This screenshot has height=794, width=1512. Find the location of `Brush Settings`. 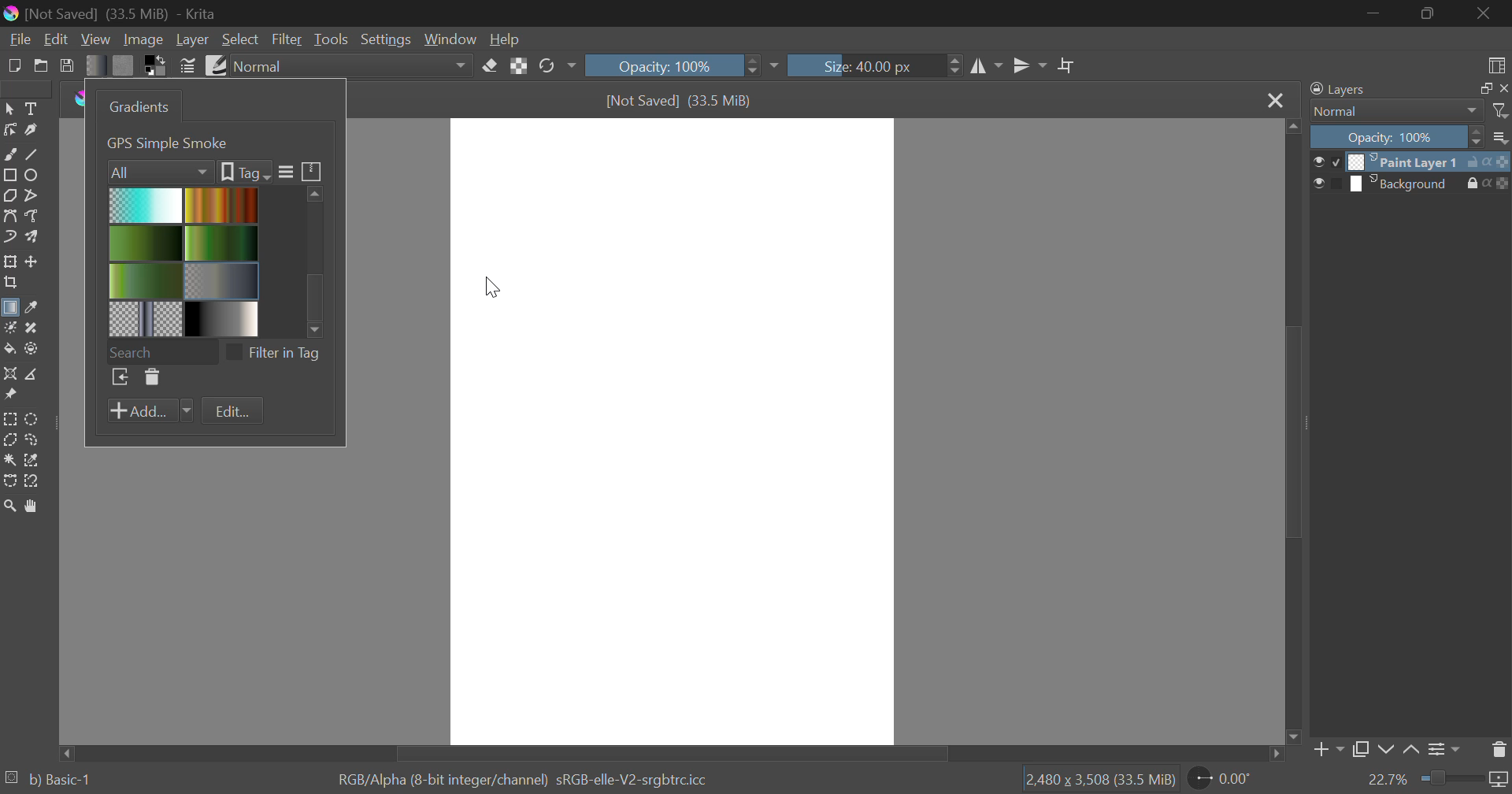

Brush Settings is located at coordinates (187, 65).